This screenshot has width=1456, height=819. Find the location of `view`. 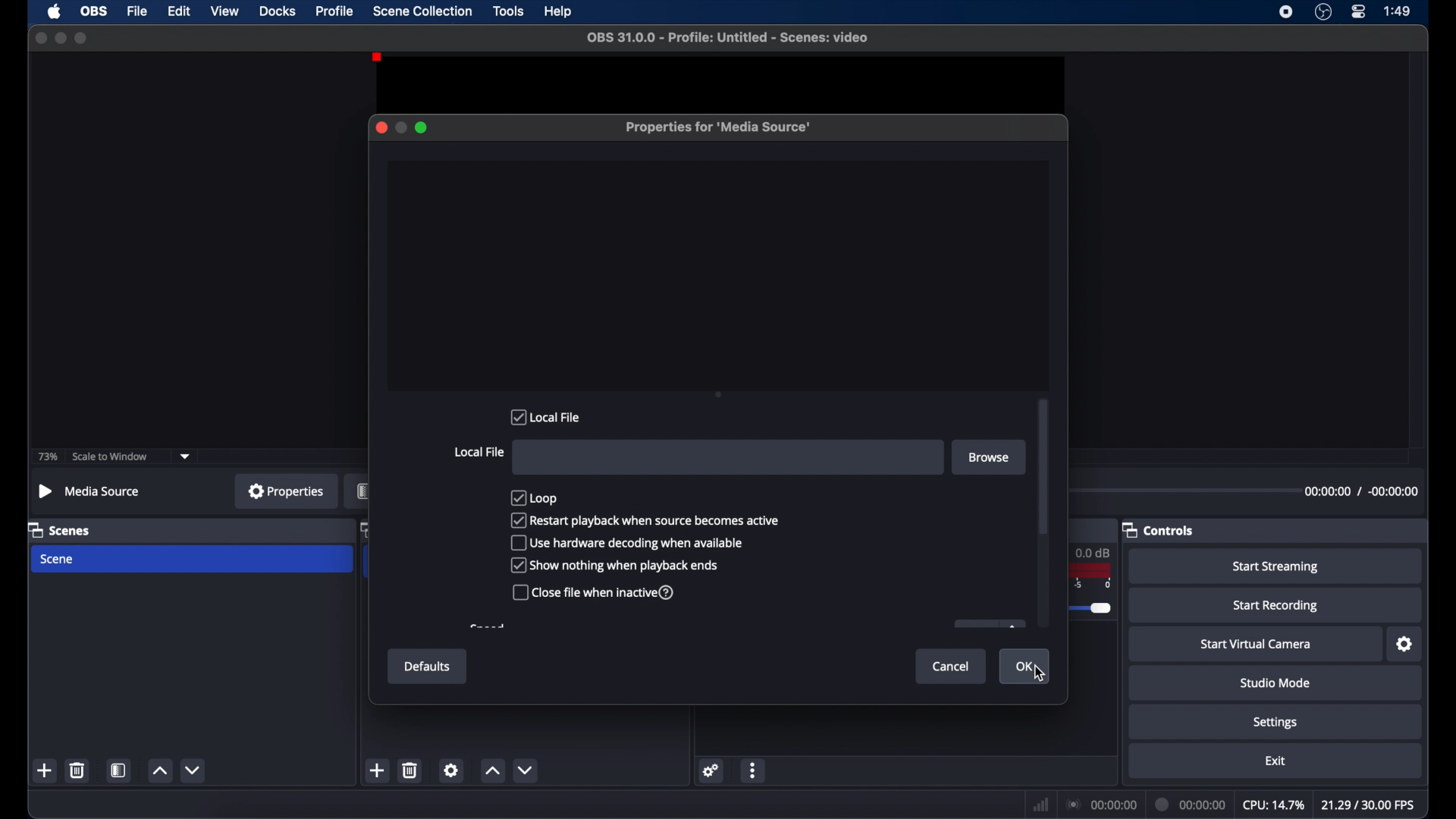

view is located at coordinates (224, 11).